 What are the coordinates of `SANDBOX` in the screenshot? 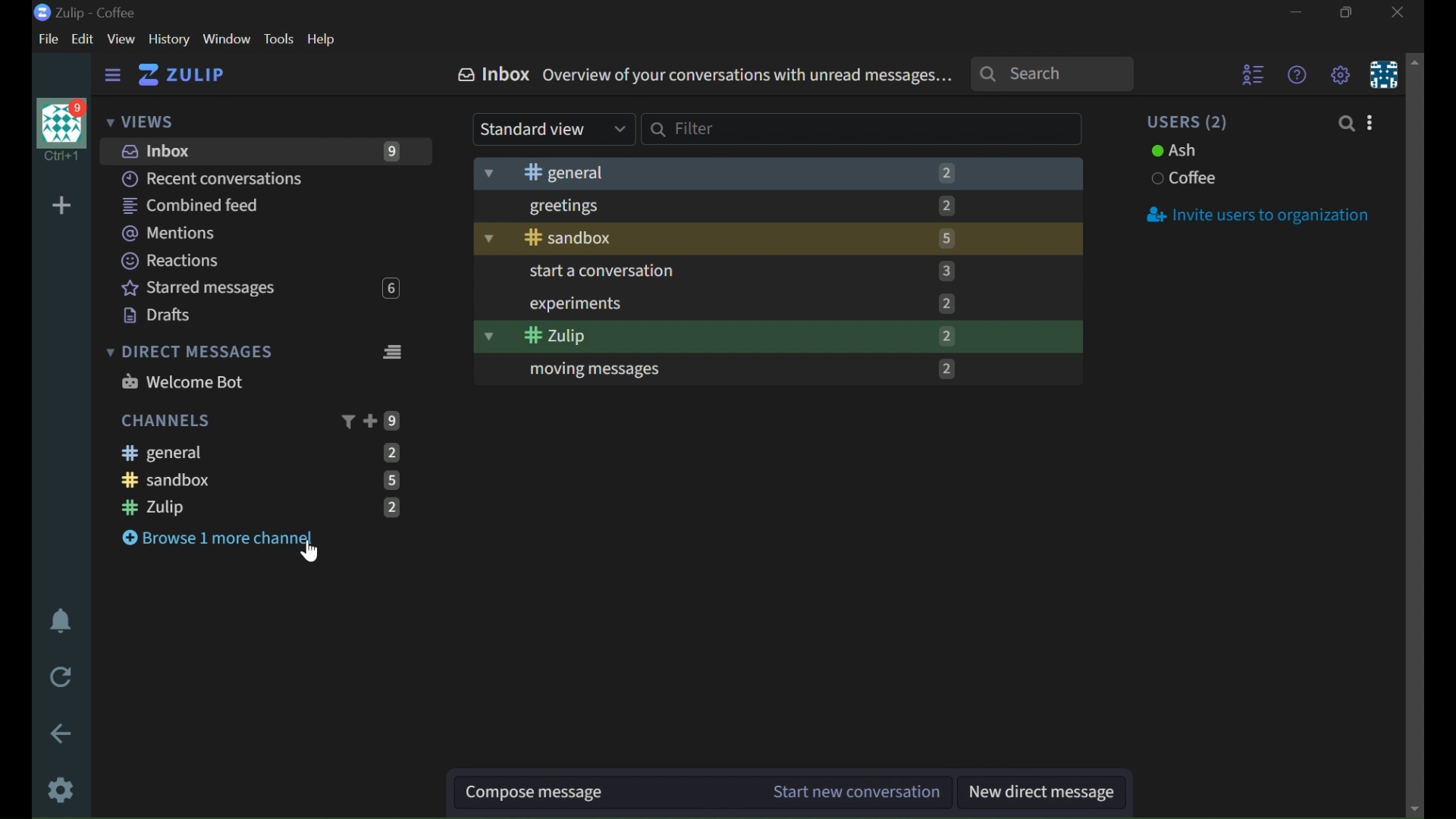 It's located at (777, 236).